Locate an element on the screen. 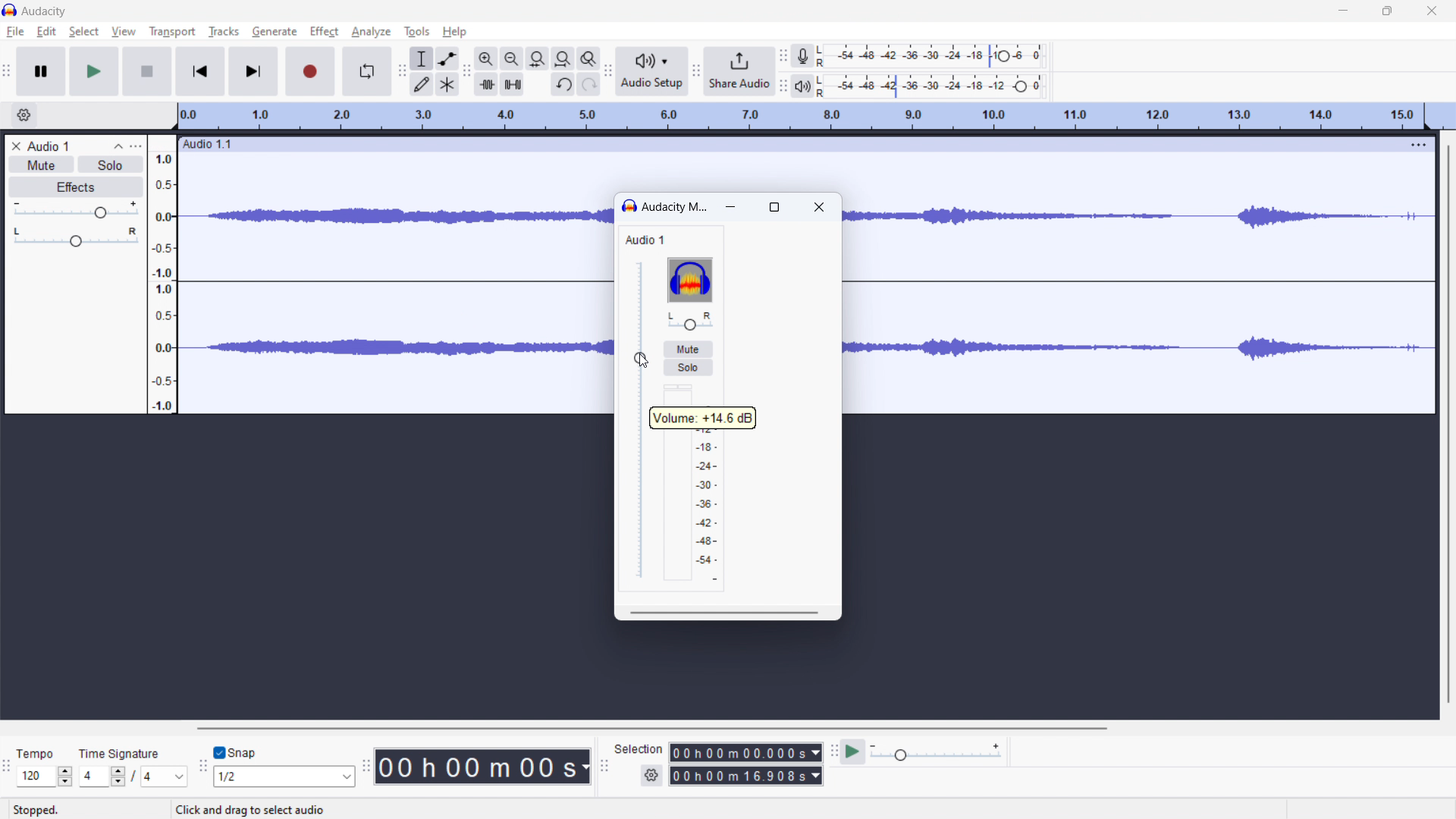 This screenshot has height=819, width=1456. help is located at coordinates (454, 33).